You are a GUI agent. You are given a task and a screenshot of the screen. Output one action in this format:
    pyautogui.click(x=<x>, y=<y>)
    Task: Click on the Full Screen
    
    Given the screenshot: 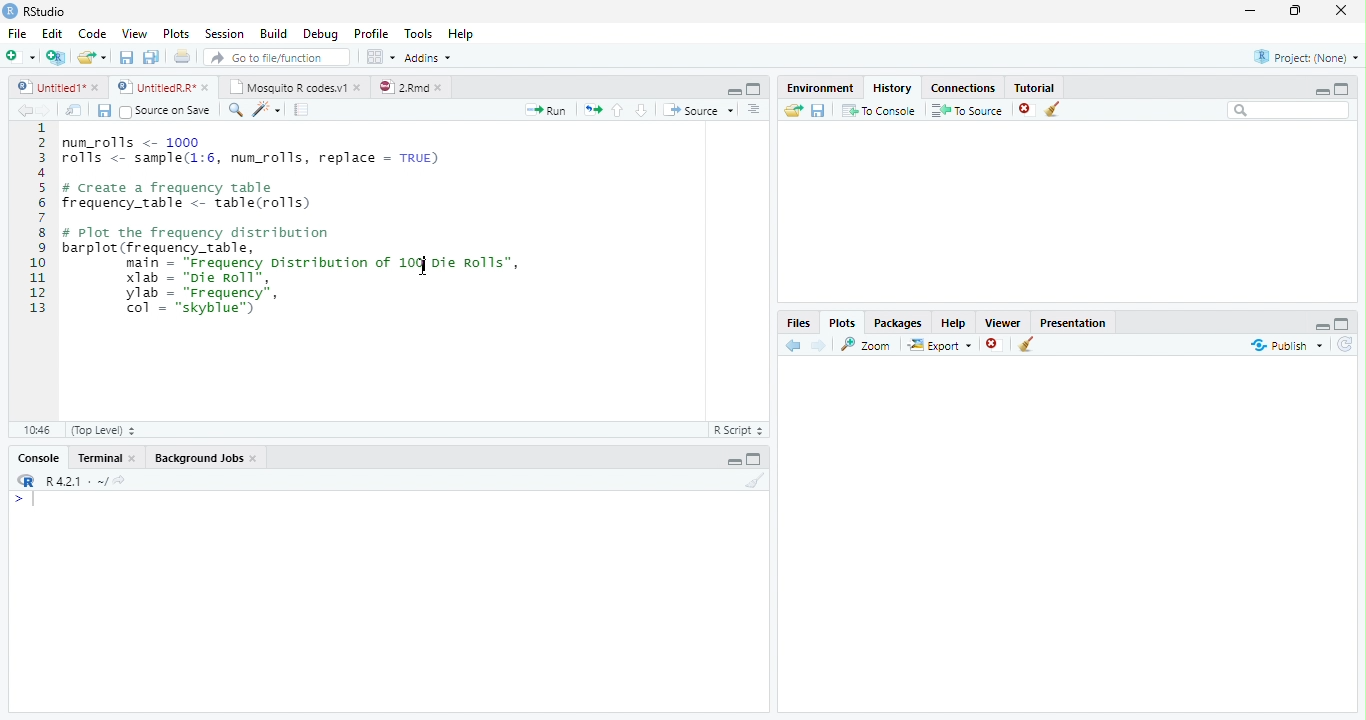 What is the action you would take?
    pyautogui.click(x=755, y=88)
    